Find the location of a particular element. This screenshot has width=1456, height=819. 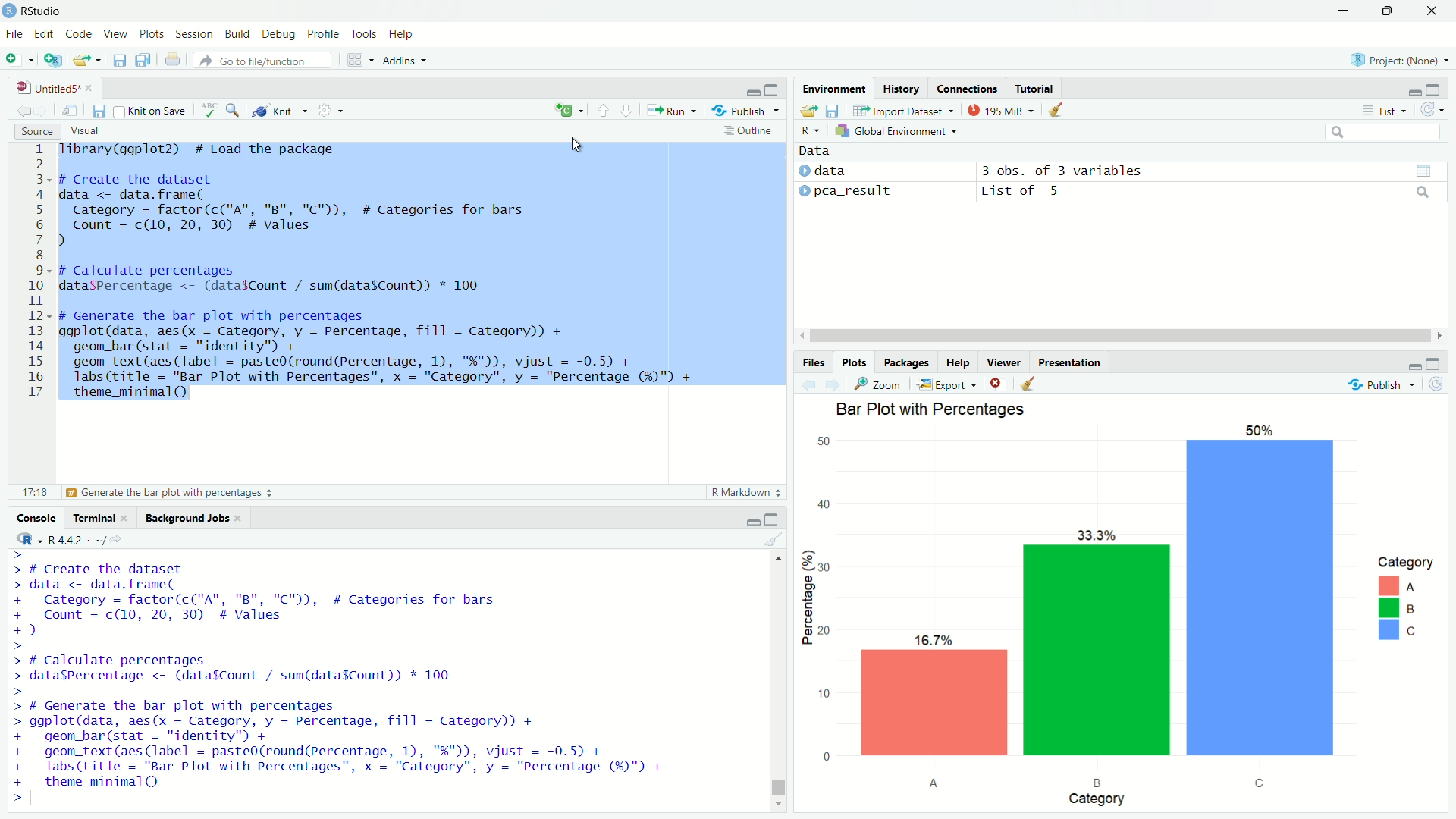

profile is located at coordinates (325, 35).